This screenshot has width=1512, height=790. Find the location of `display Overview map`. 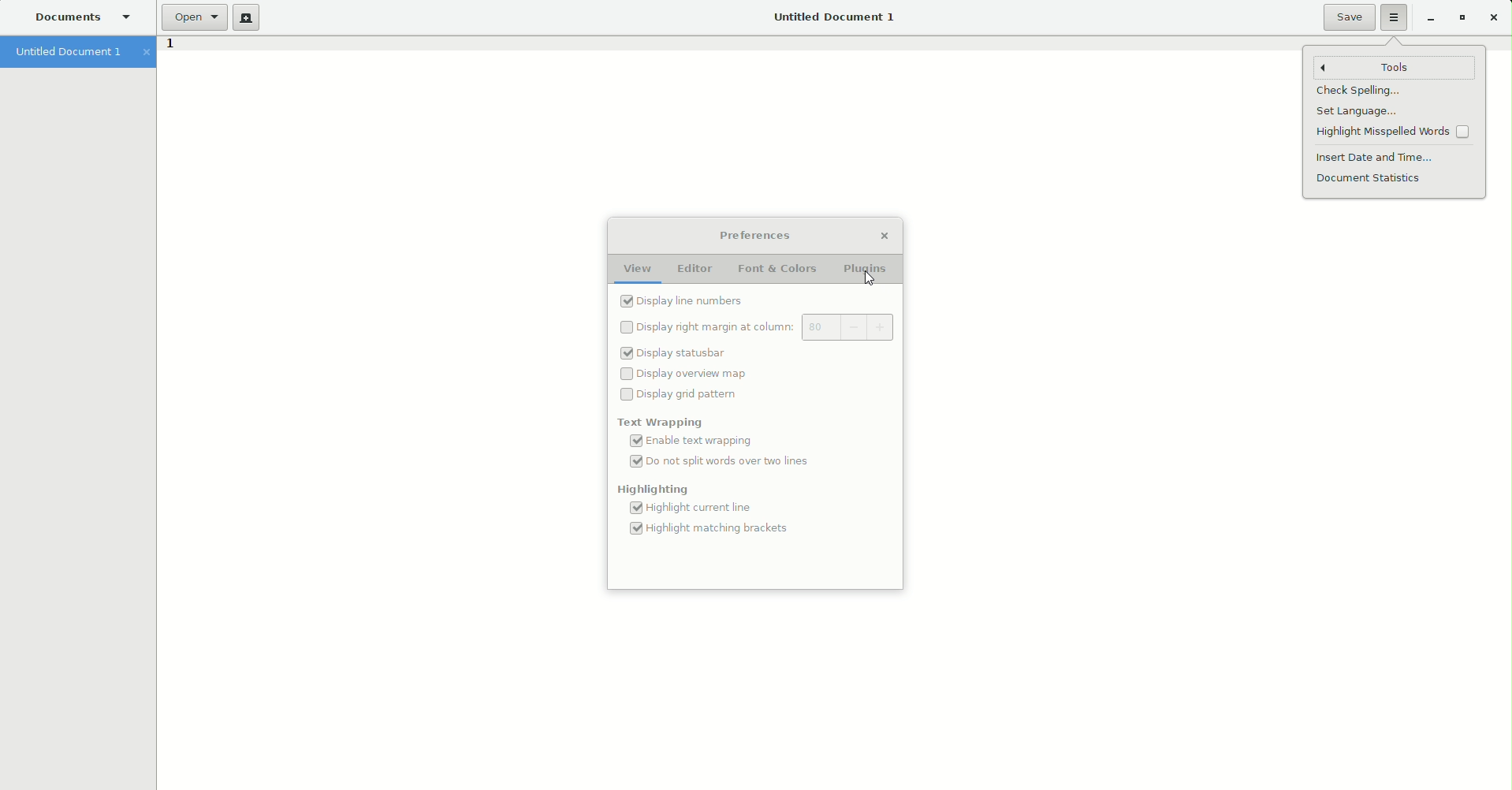

display Overview map is located at coordinates (688, 372).